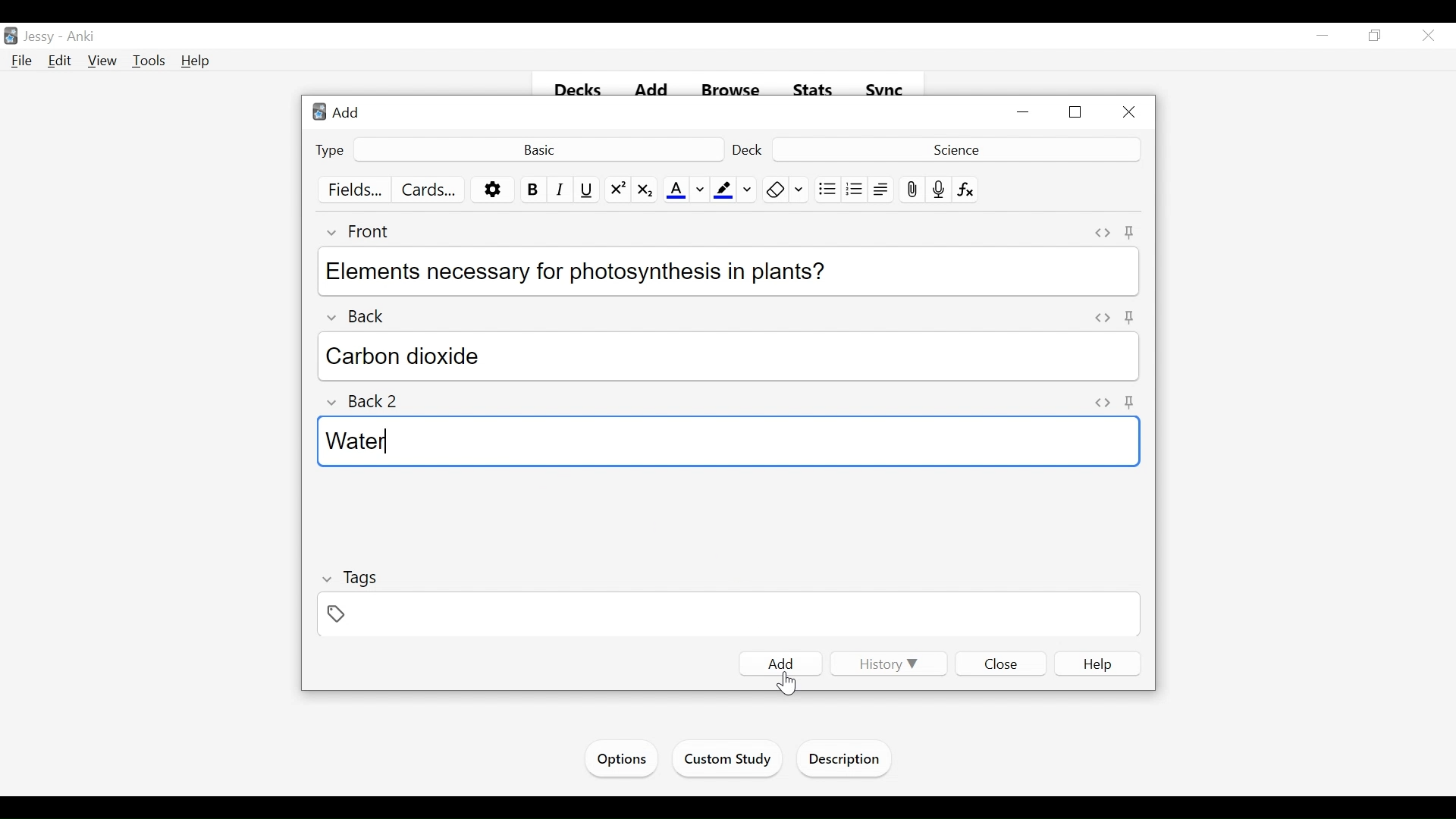 The height and width of the screenshot is (819, 1456). Describe the element at coordinates (1373, 36) in the screenshot. I see `Restore` at that location.